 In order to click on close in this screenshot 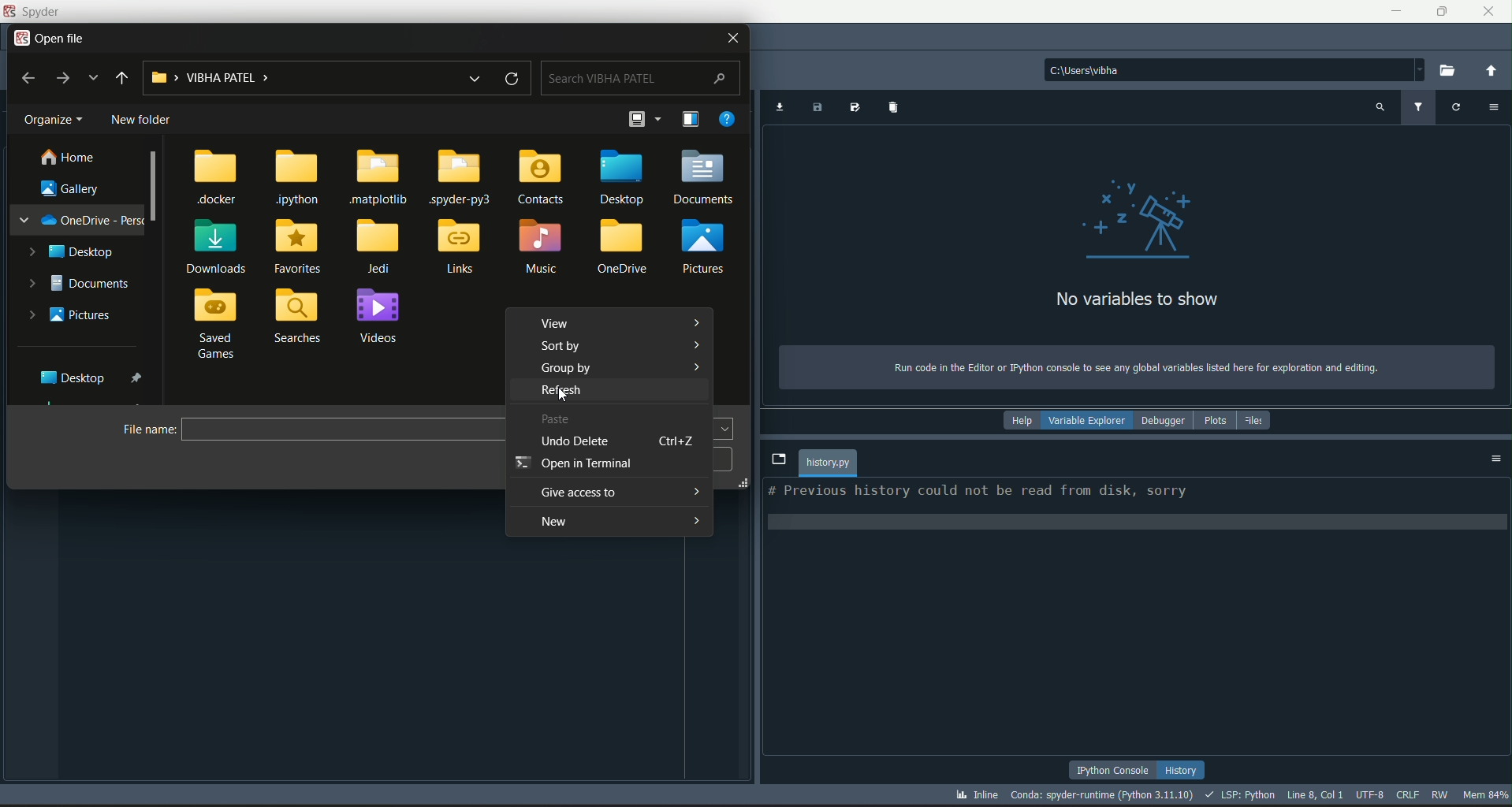, I will do `click(731, 39)`.